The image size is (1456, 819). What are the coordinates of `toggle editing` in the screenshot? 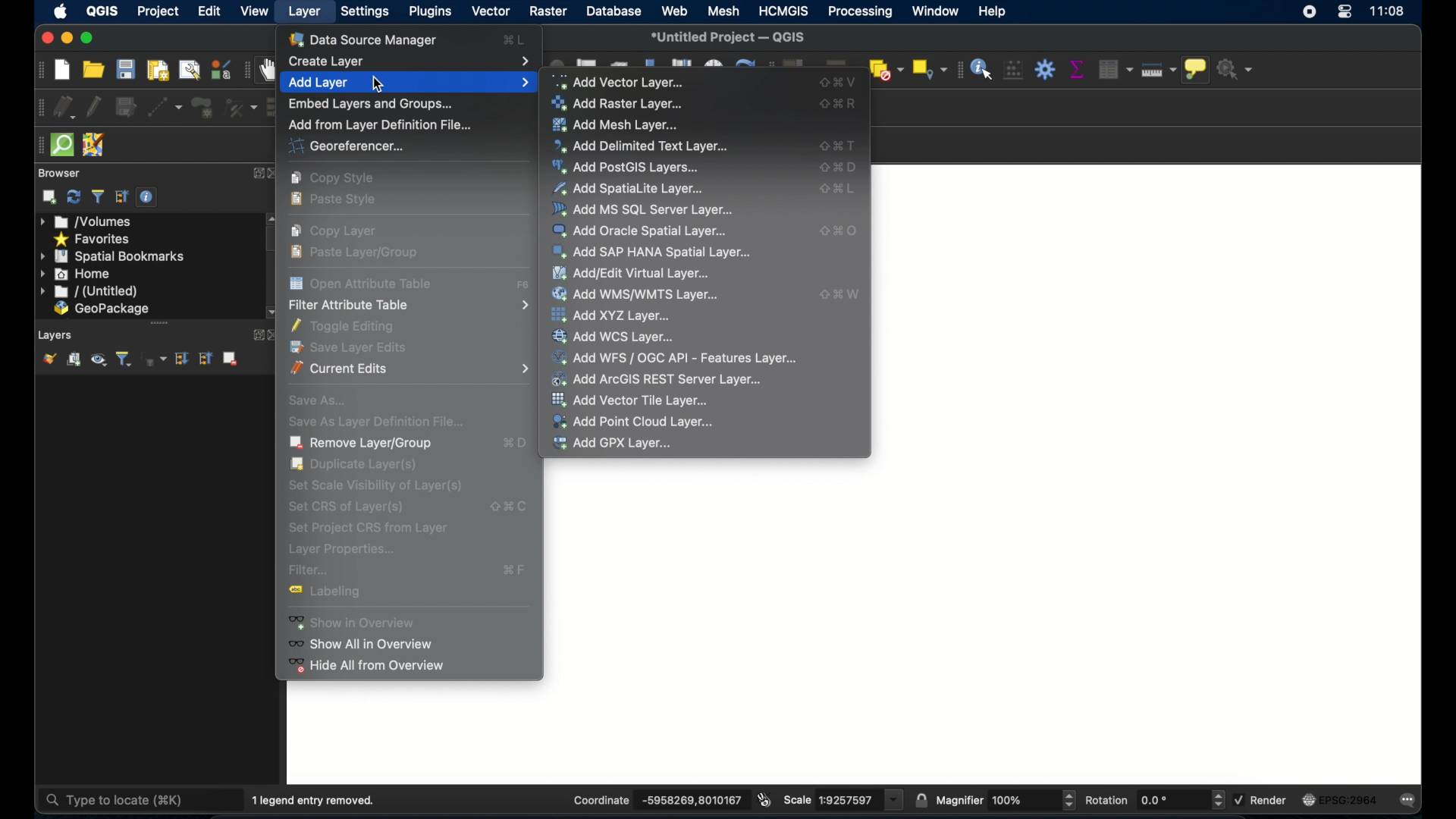 It's located at (349, 325).